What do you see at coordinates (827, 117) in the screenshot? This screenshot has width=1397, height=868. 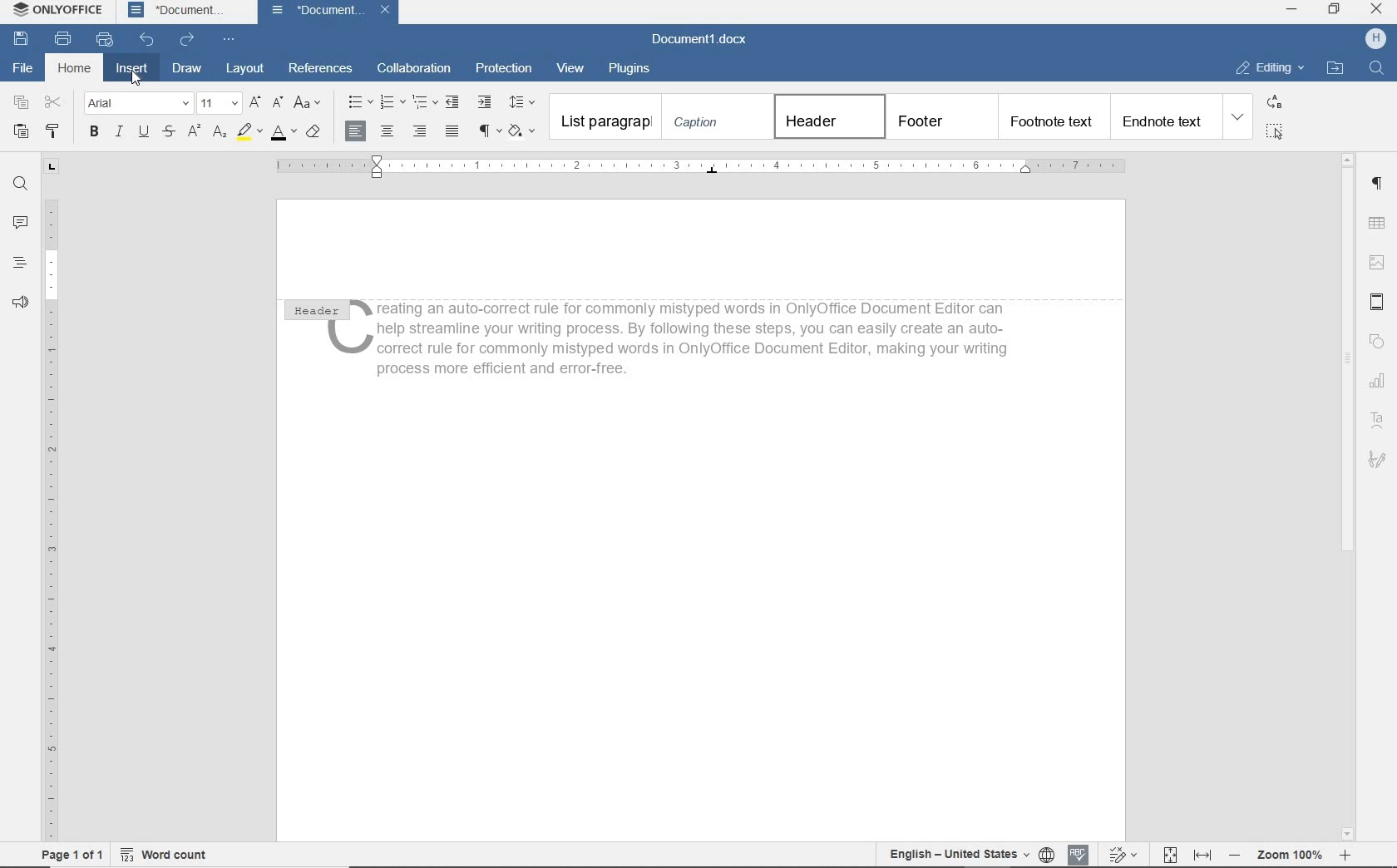 I see `HEADING 1` at bounding box center [827, 117].